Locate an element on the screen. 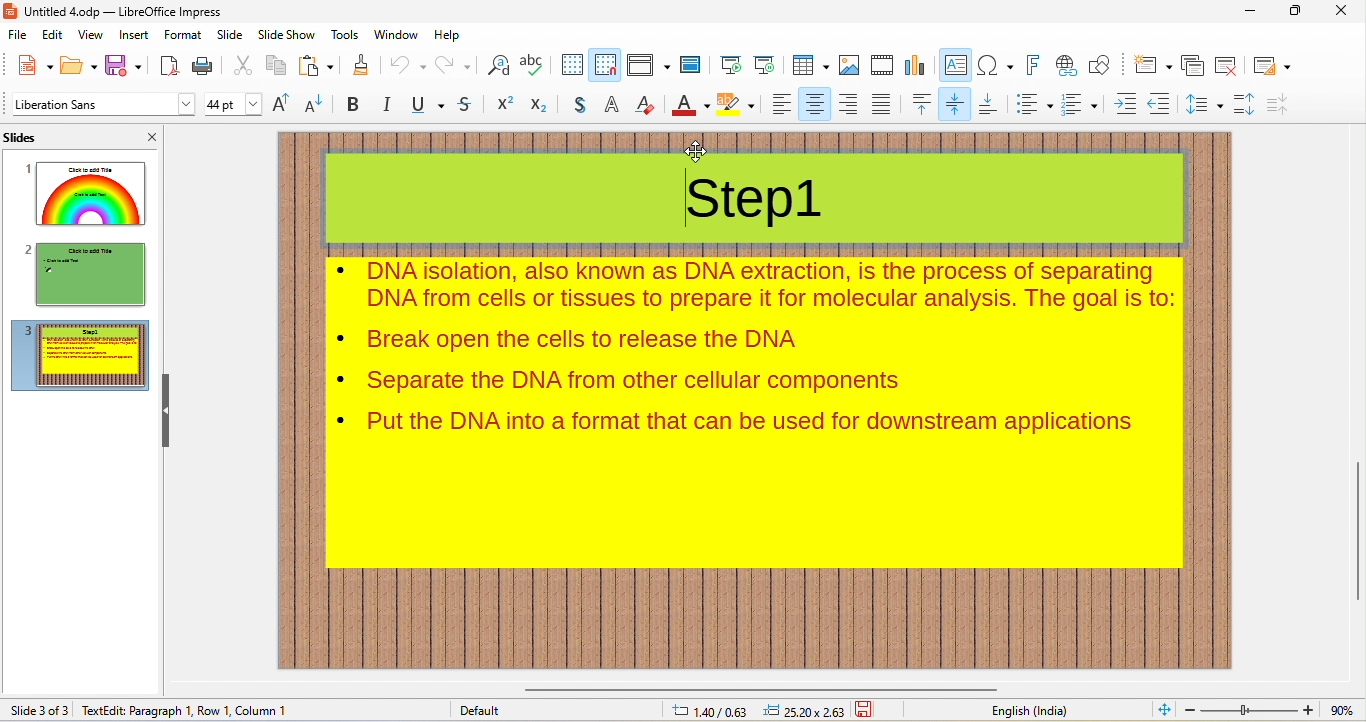  decrease paragraph spacing is located at coordinates (1283, 103).